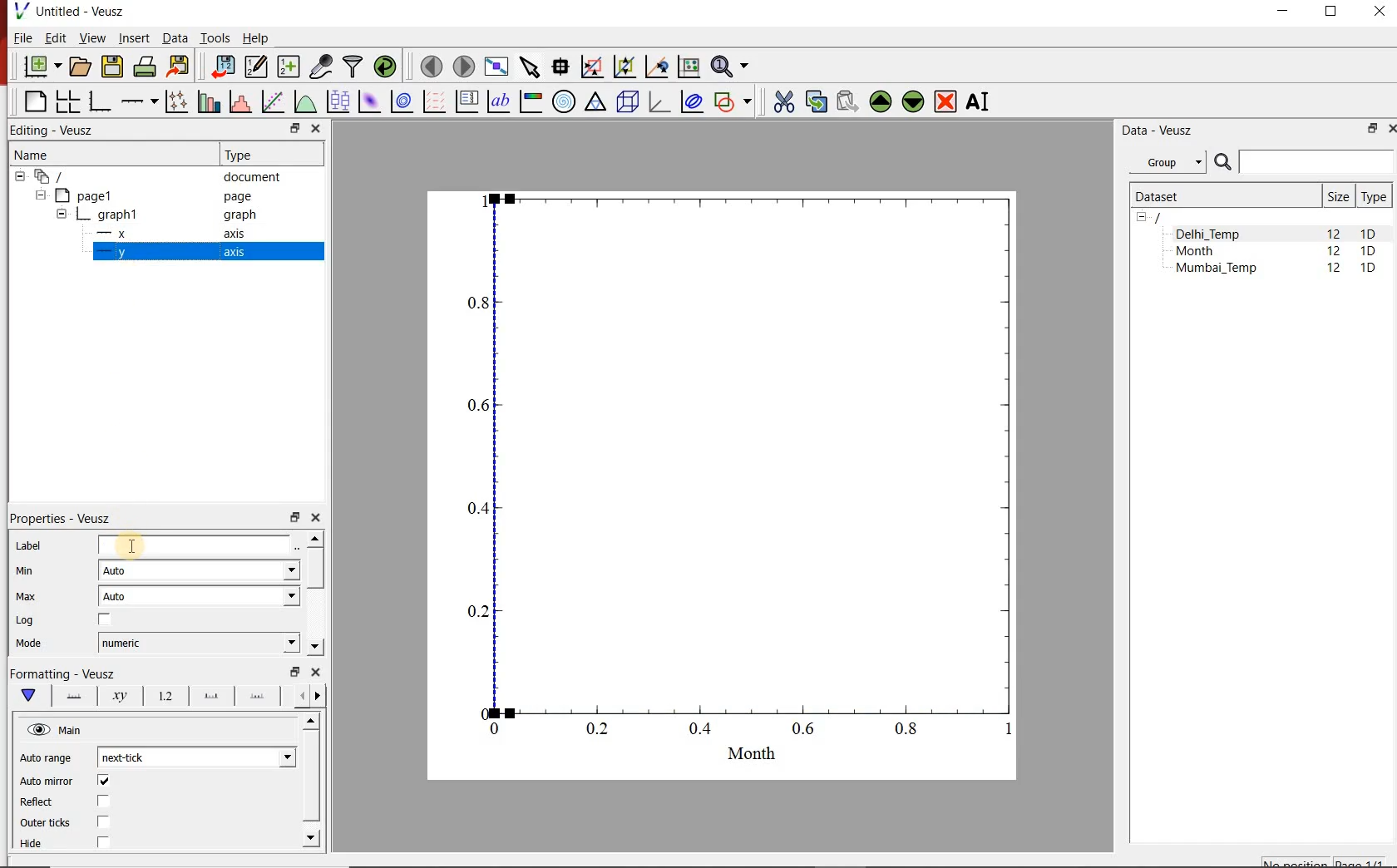 This screenshot has width=1397, height=868. Describe the element at coordinates (137, 101) in the screenshot. I see `Add an axis to the plot` at that location.